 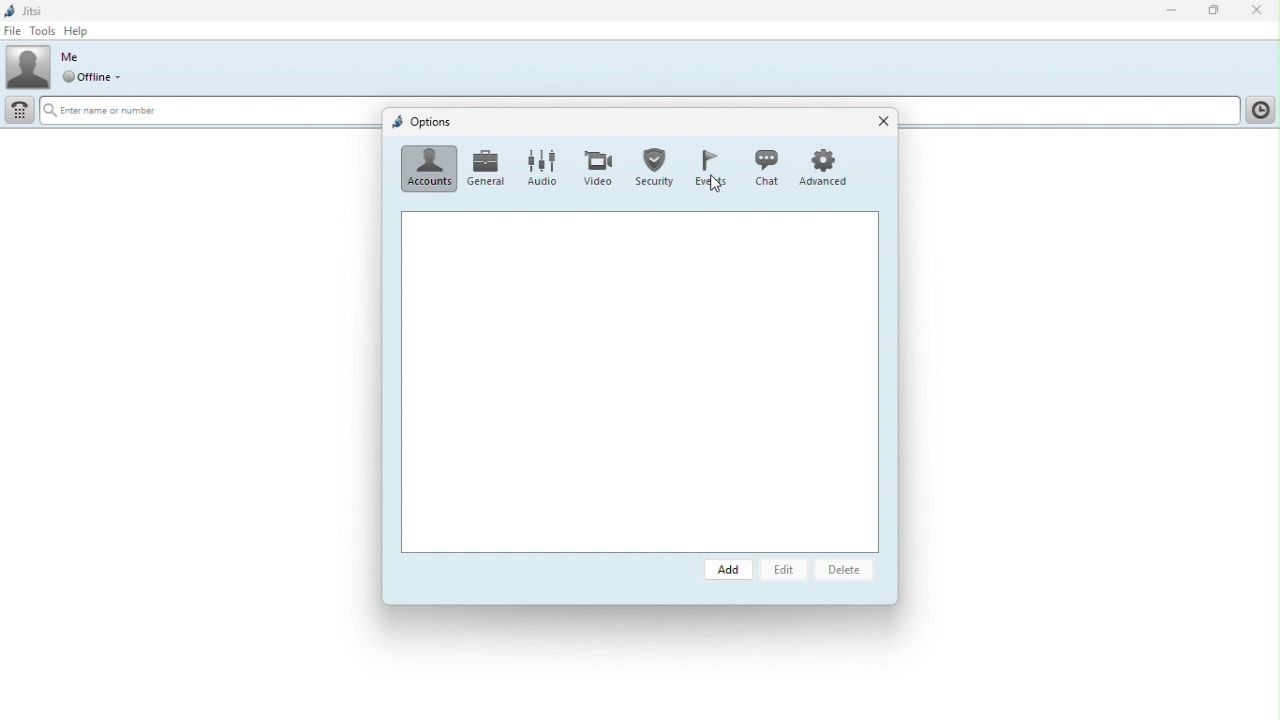 I want to click on Dial pad, so click(x=18, y=113).